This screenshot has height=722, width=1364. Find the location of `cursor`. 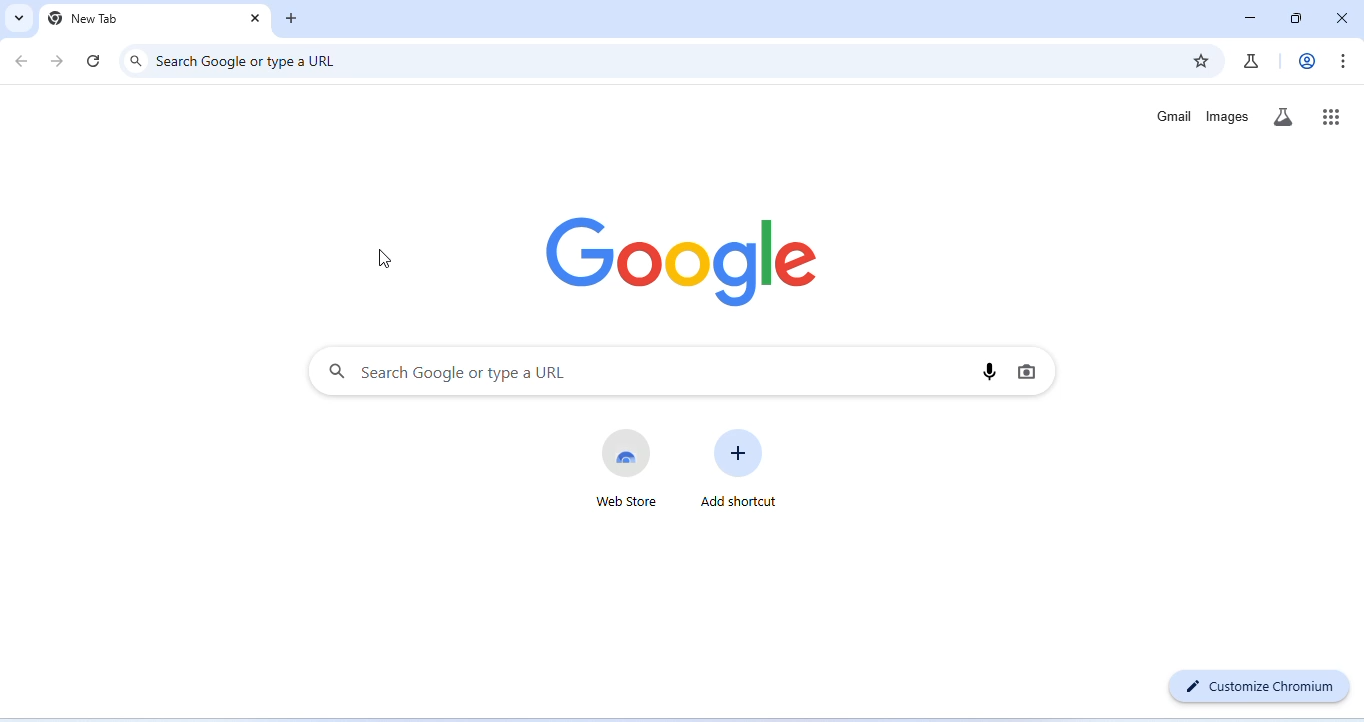

cursor is located at coordinates (383, 257).